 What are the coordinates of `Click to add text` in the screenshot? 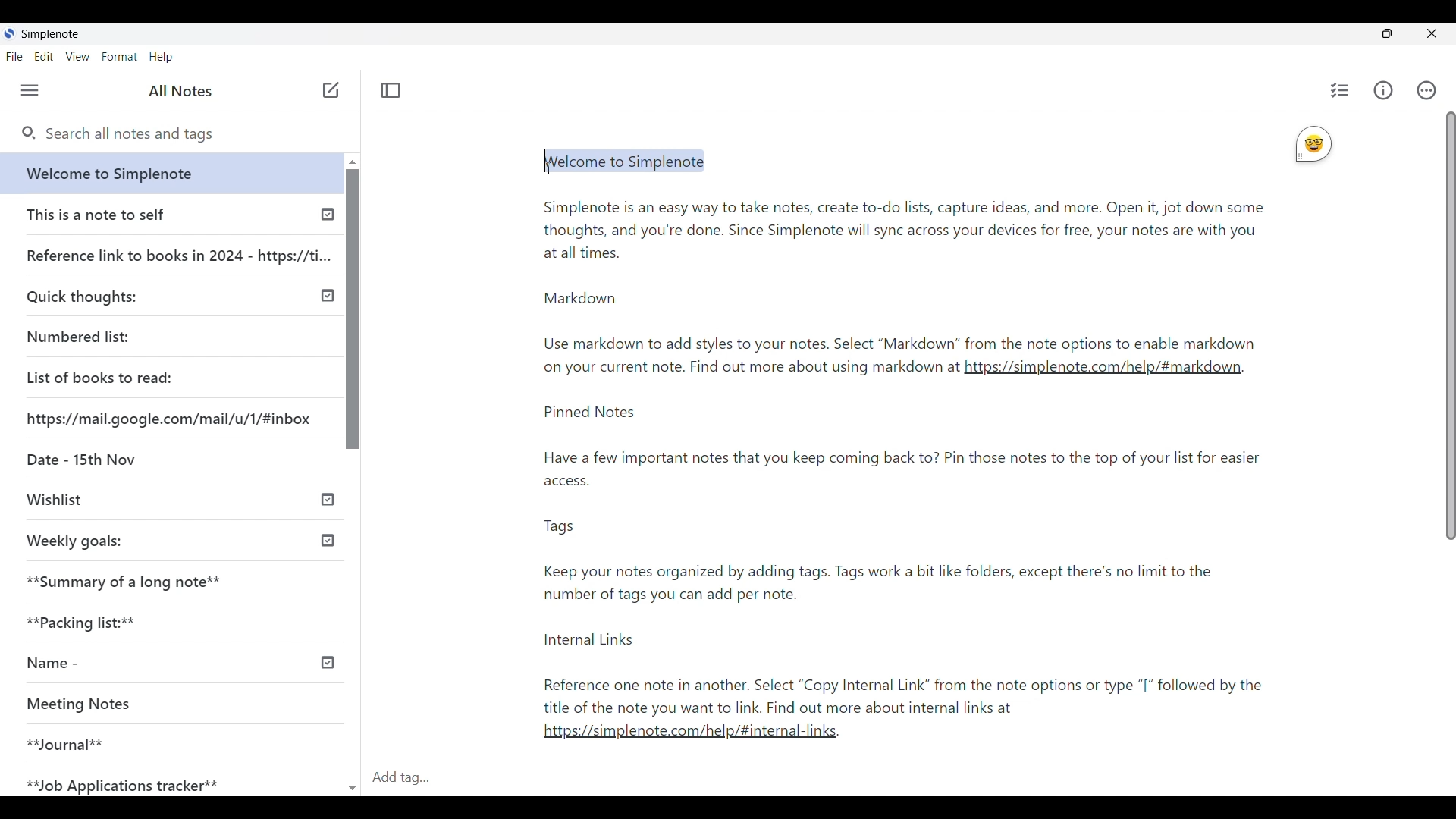 It's located at (331, 90).